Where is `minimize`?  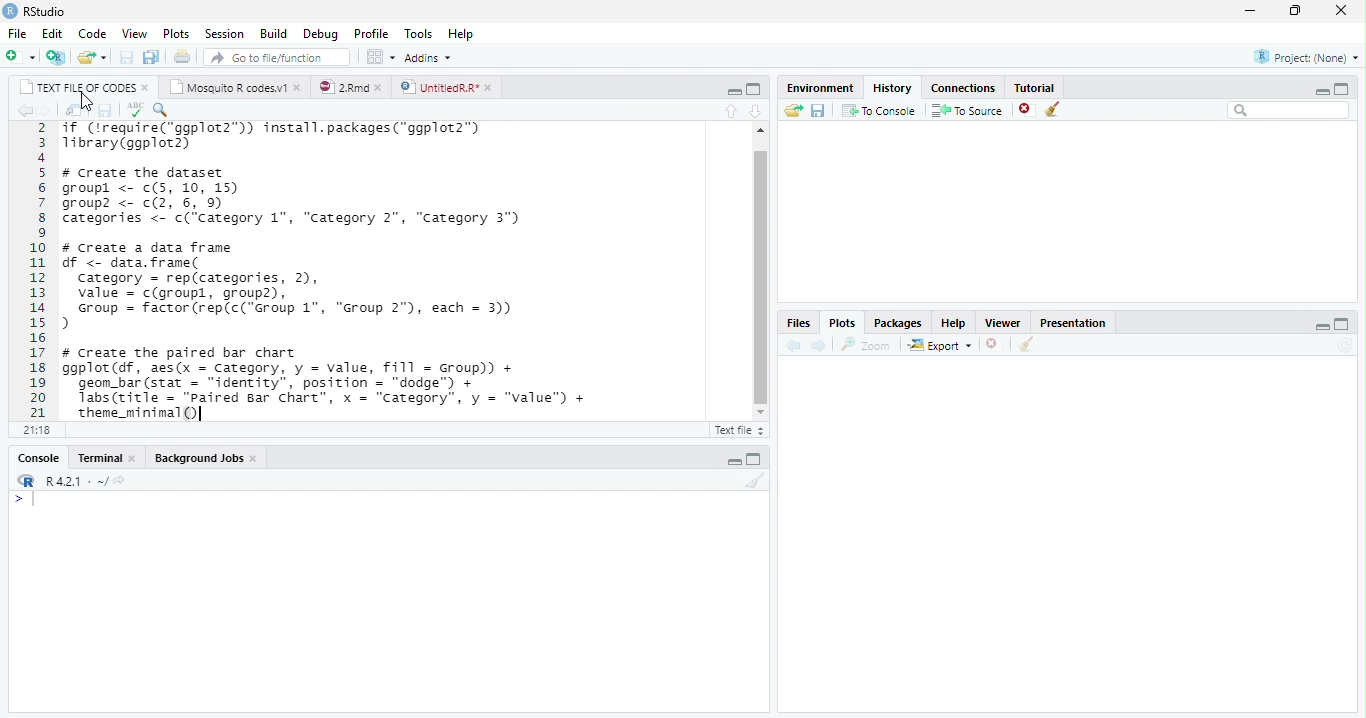
minimize is located at coordinates (733, 90).